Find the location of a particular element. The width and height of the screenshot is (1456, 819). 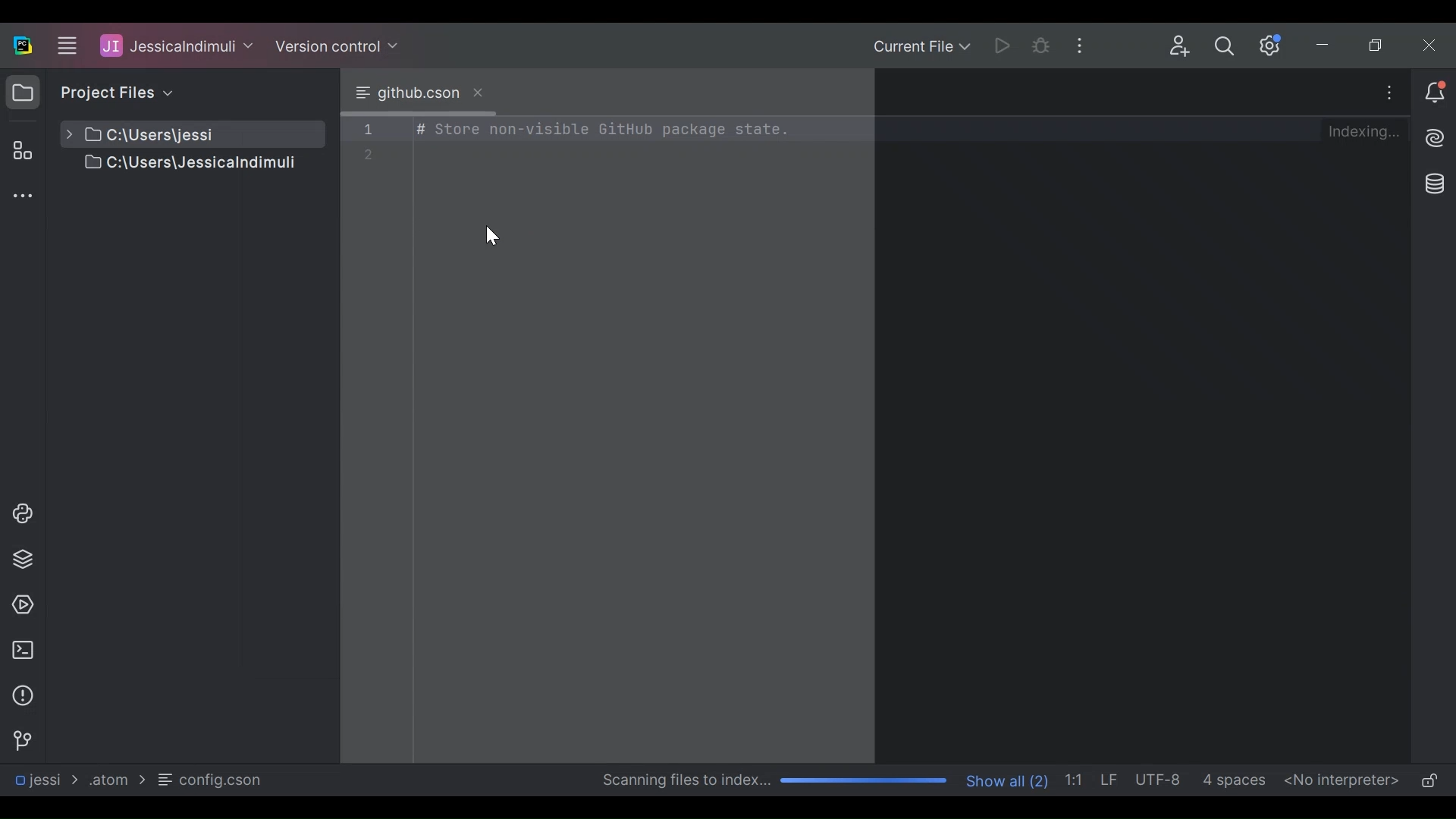

current Tab is located at coordinates (418, 93).